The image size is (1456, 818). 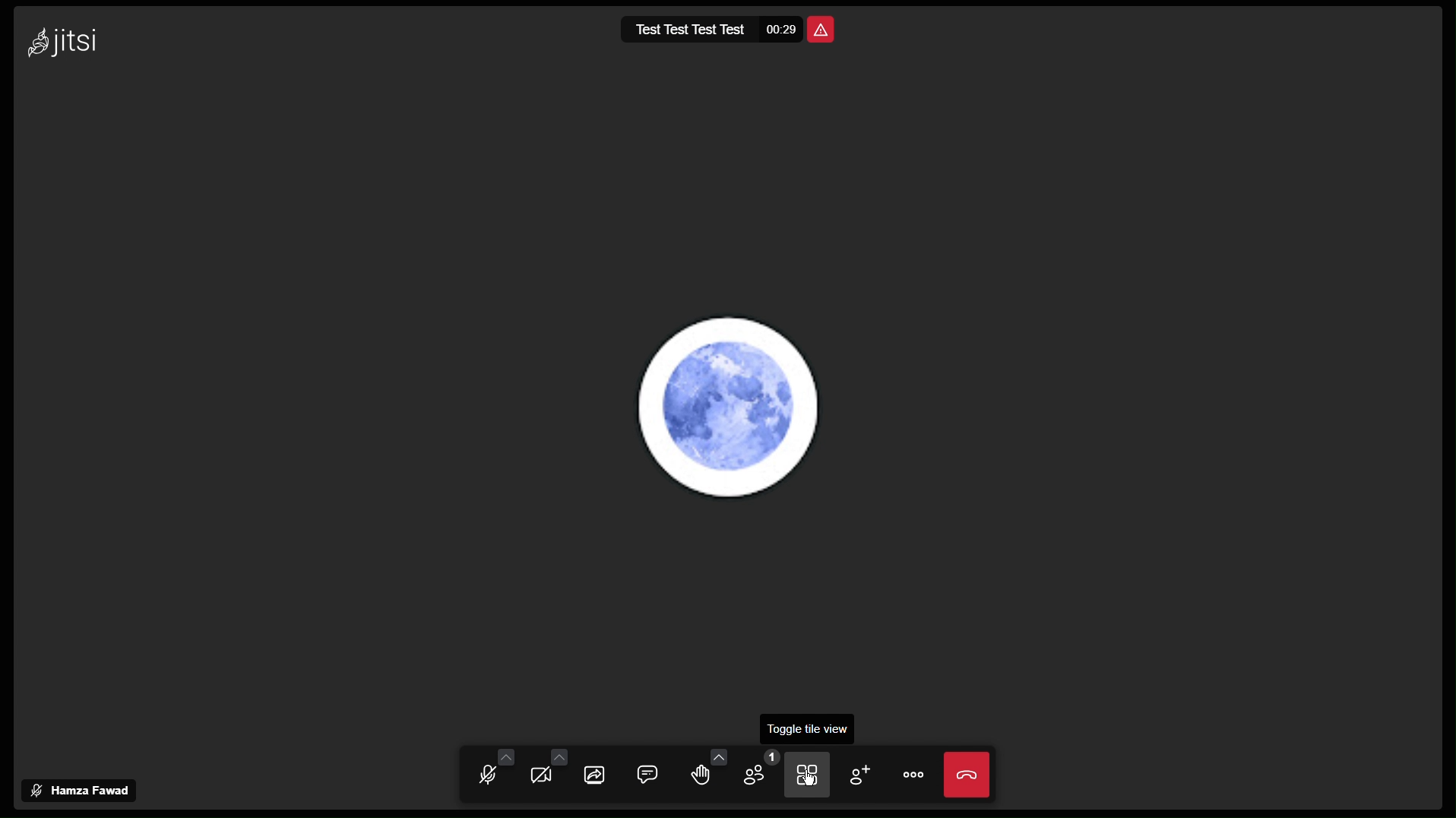 I want to click on Jitsi, so click(x=59, y=40).